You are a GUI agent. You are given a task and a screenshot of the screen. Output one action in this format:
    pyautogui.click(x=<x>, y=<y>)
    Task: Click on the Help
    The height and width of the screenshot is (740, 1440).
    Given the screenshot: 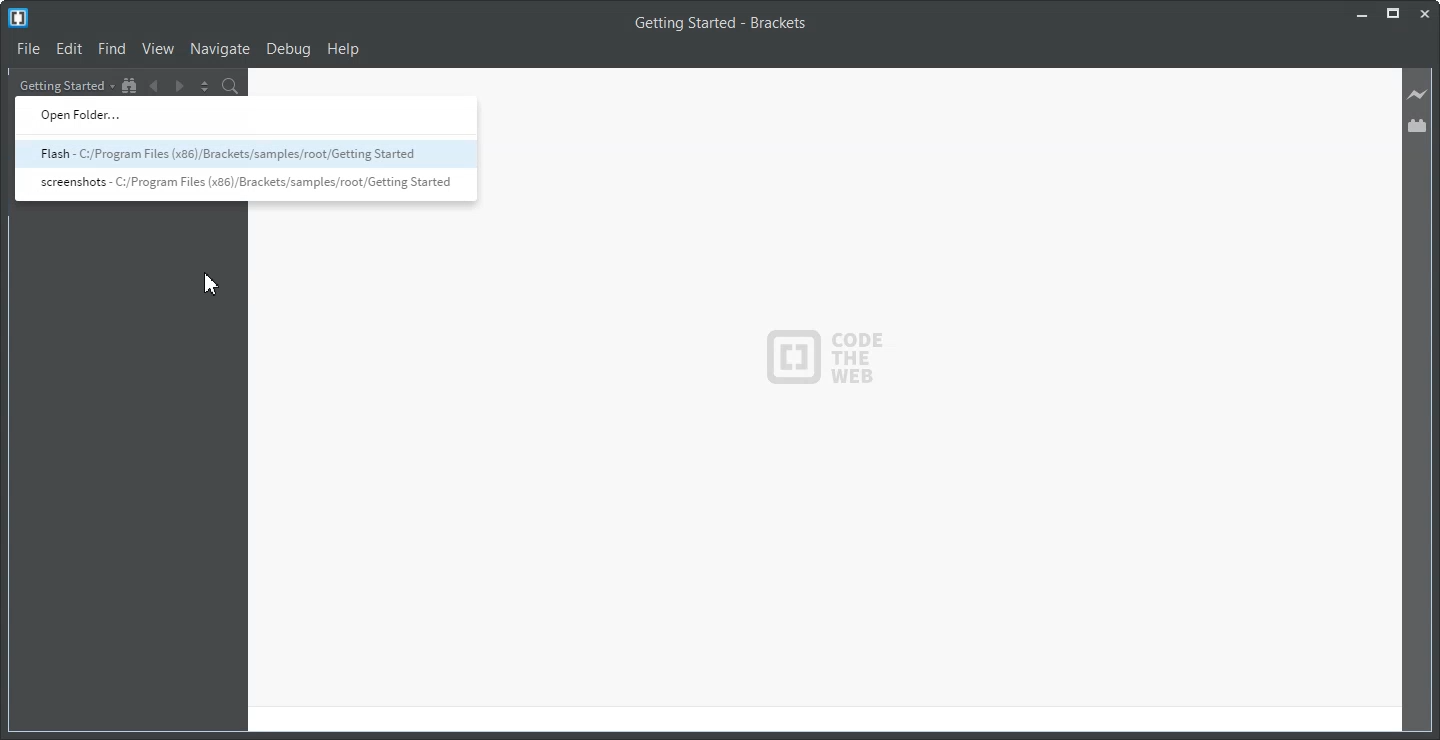 What is the action you would take?
    pyautogui.click(x=344, y=49)
    